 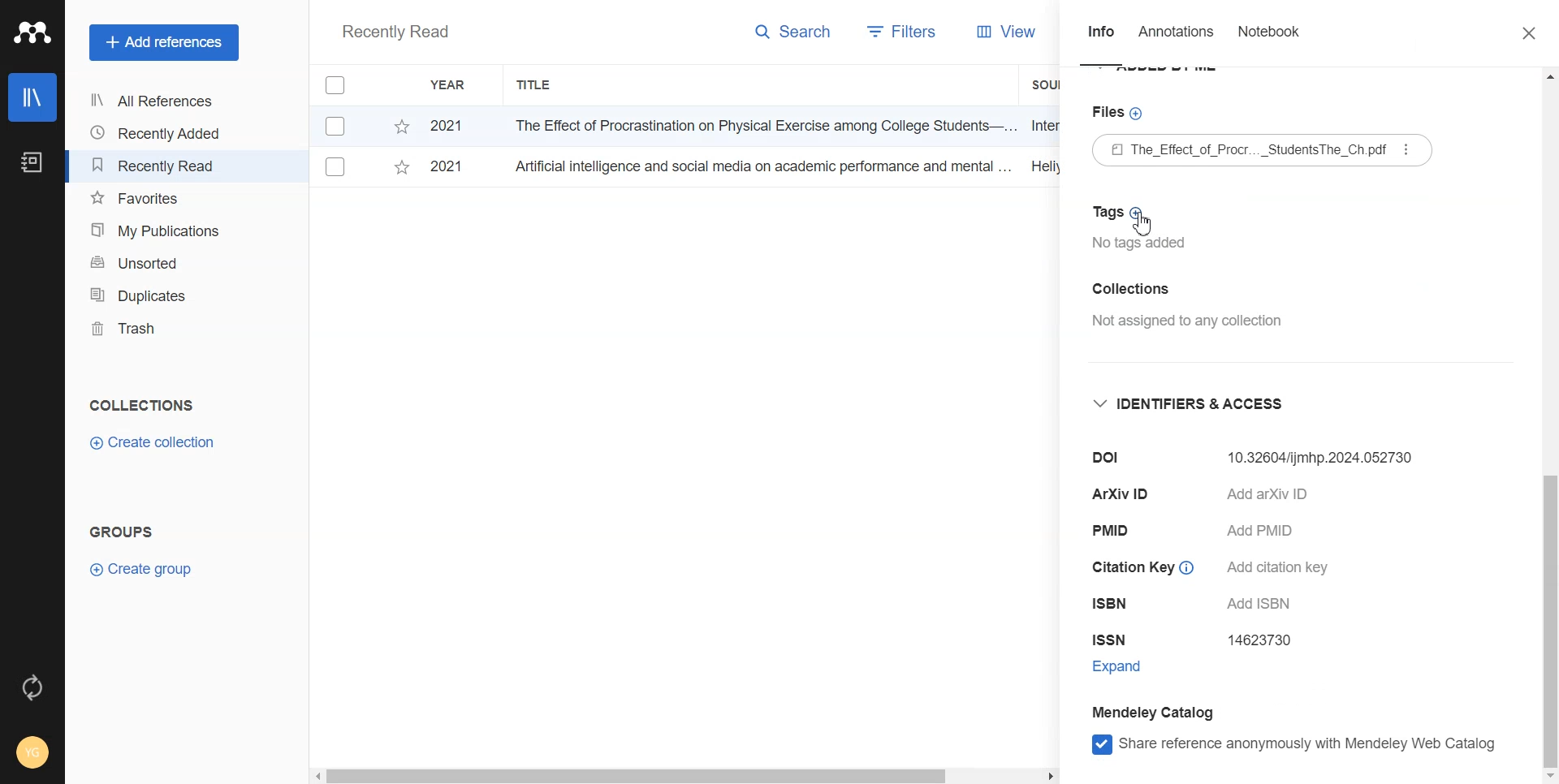 I want to click on My Publication, so click(x=159, y=230).